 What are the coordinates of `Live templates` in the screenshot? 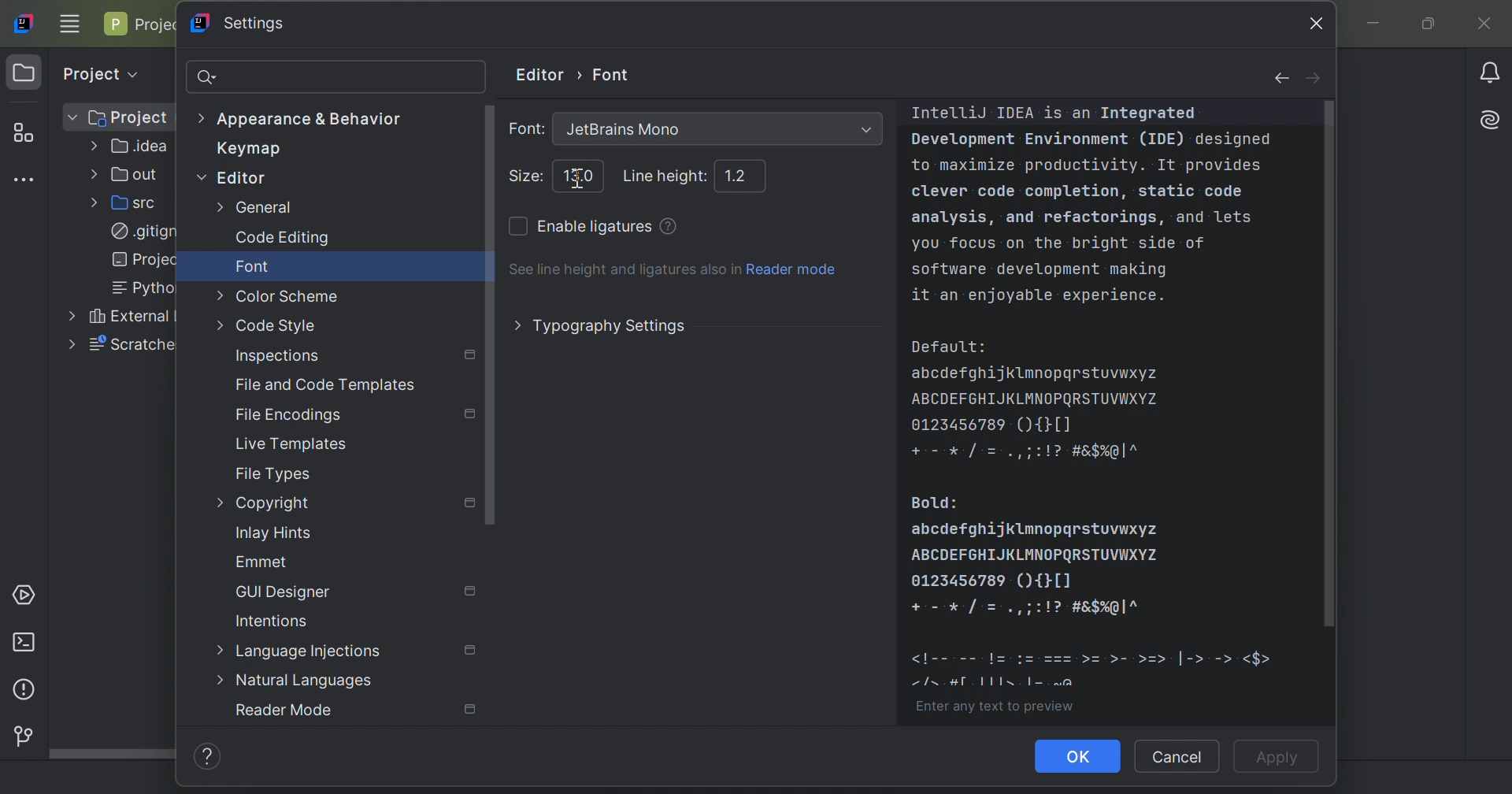 It's located at (291, 445).